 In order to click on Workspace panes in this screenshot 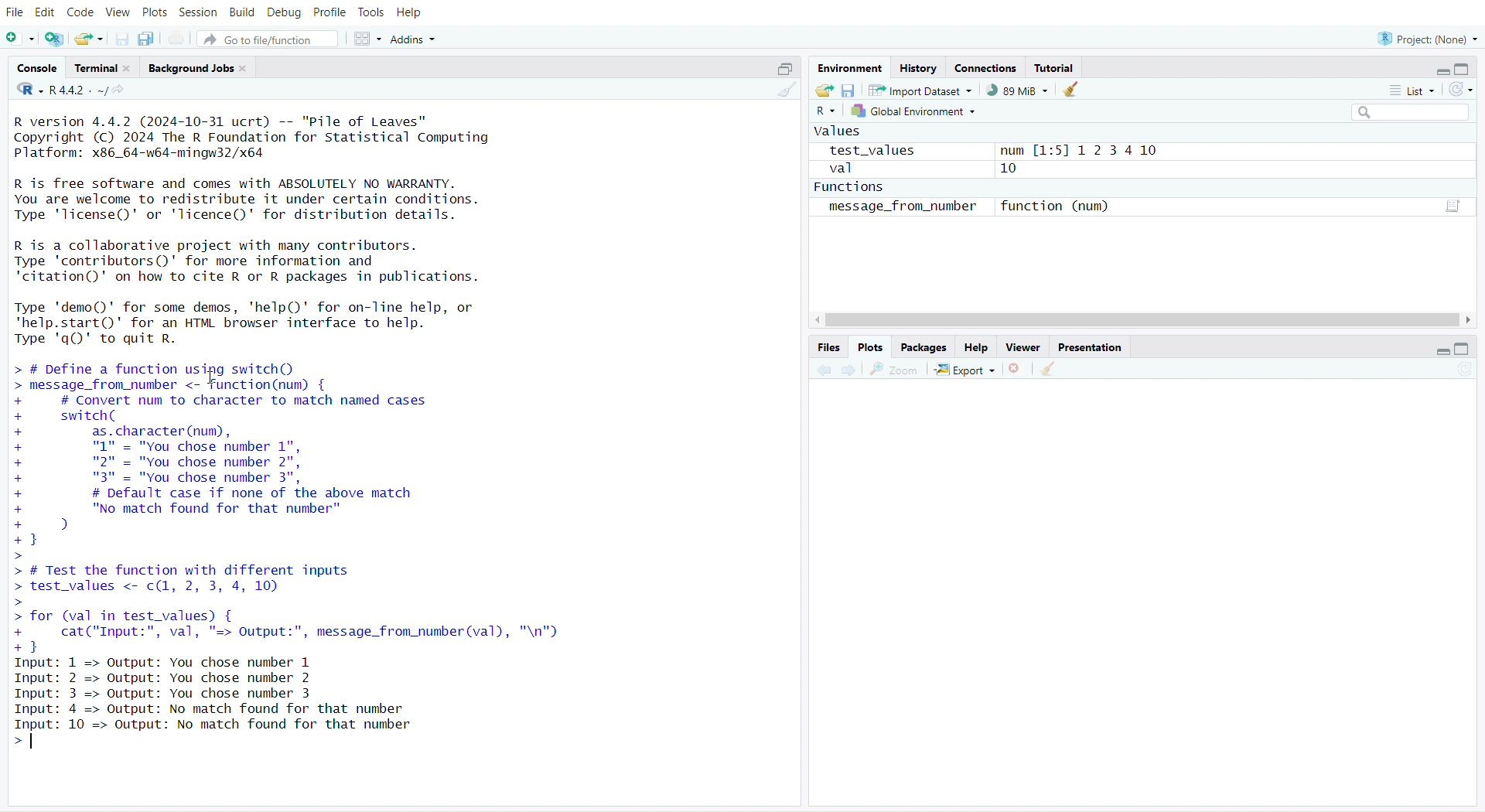, I will do `click(366, 39)`.